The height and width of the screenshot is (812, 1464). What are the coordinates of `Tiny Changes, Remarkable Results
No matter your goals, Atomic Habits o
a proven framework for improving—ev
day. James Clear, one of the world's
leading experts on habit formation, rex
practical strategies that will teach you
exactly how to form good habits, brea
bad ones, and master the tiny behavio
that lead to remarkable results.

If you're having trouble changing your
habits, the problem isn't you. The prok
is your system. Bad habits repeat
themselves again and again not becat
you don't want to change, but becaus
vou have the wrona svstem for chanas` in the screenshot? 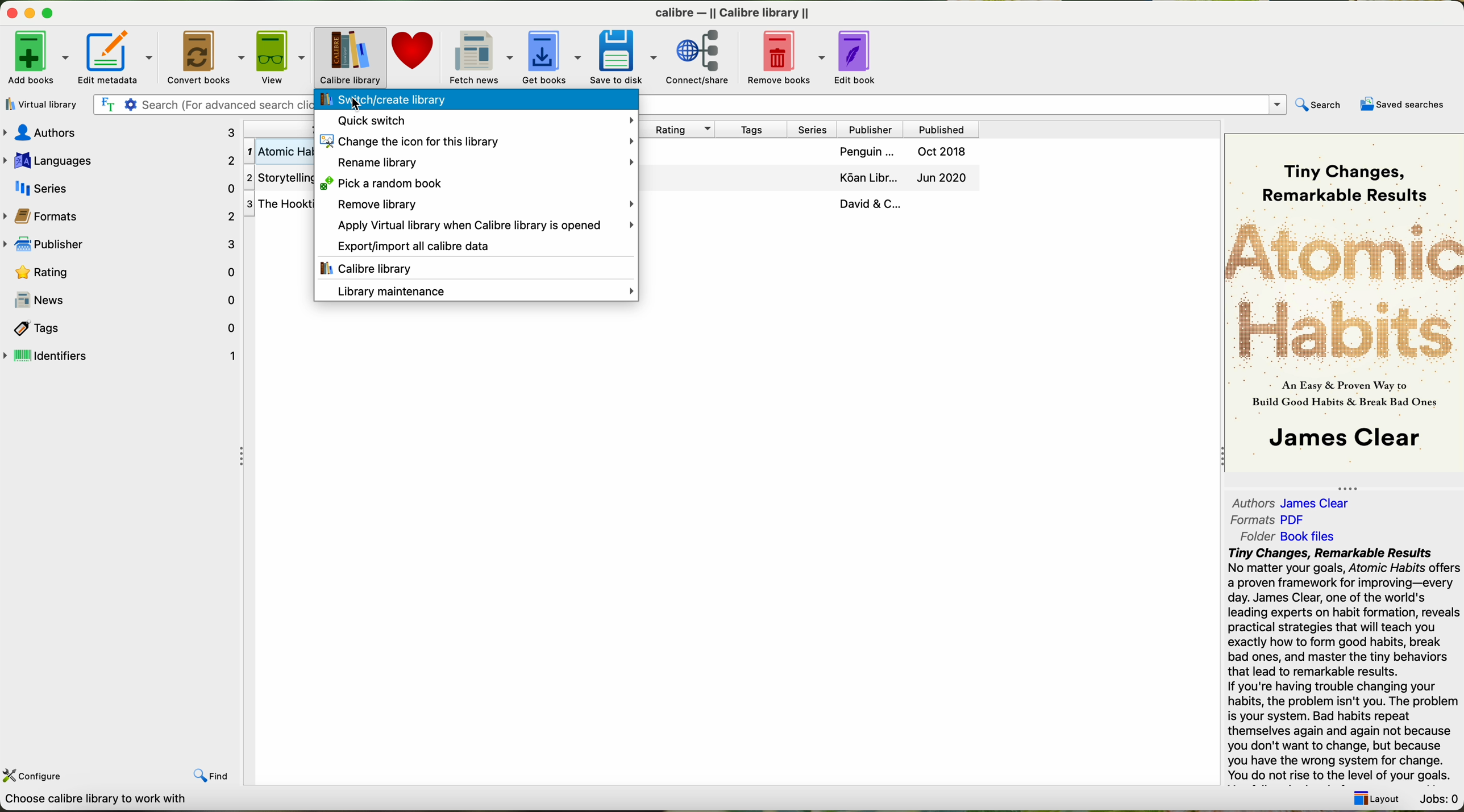 It's located at (1342, 663).